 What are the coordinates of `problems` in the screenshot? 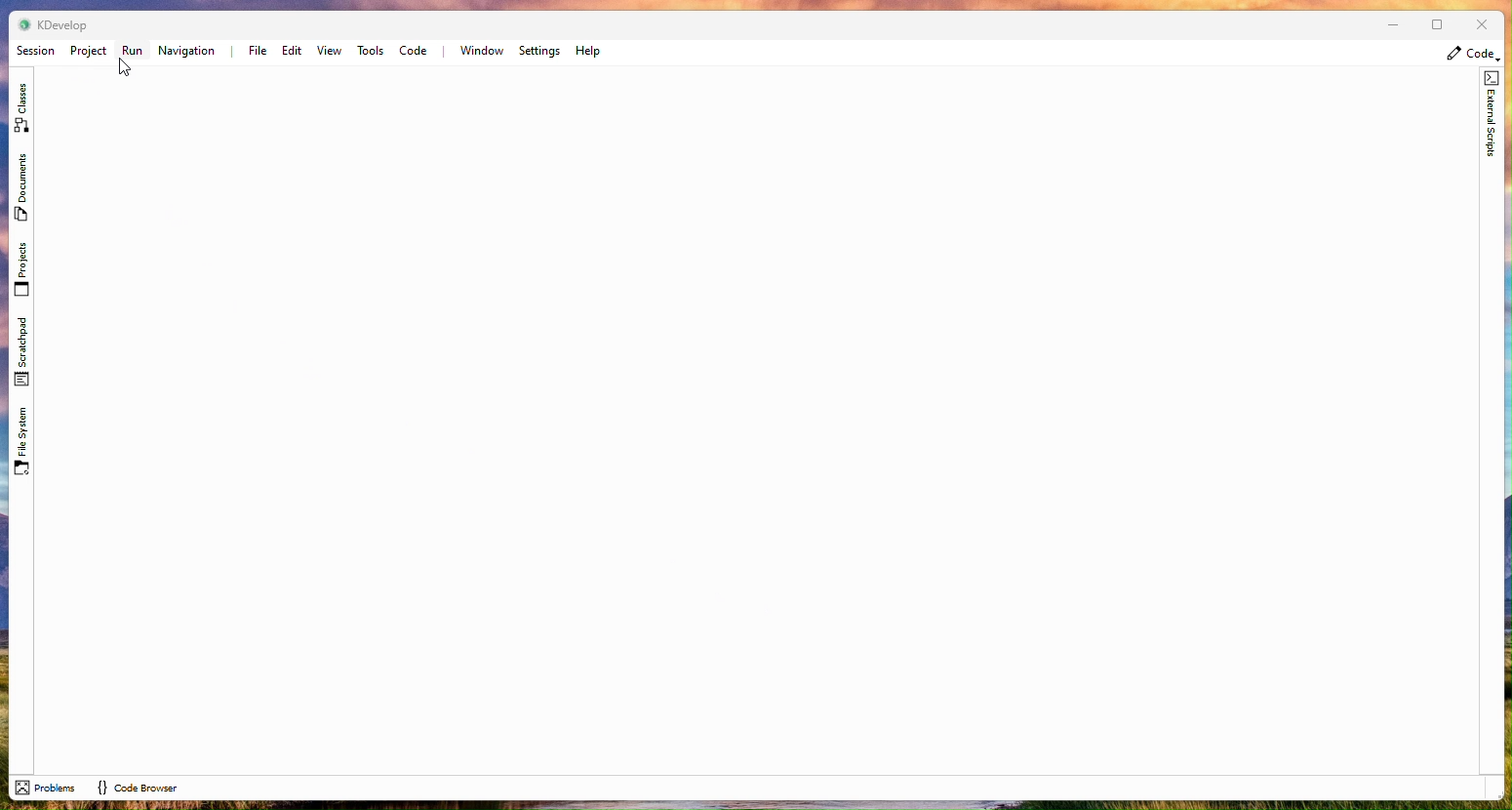 It's located at (46, 788).